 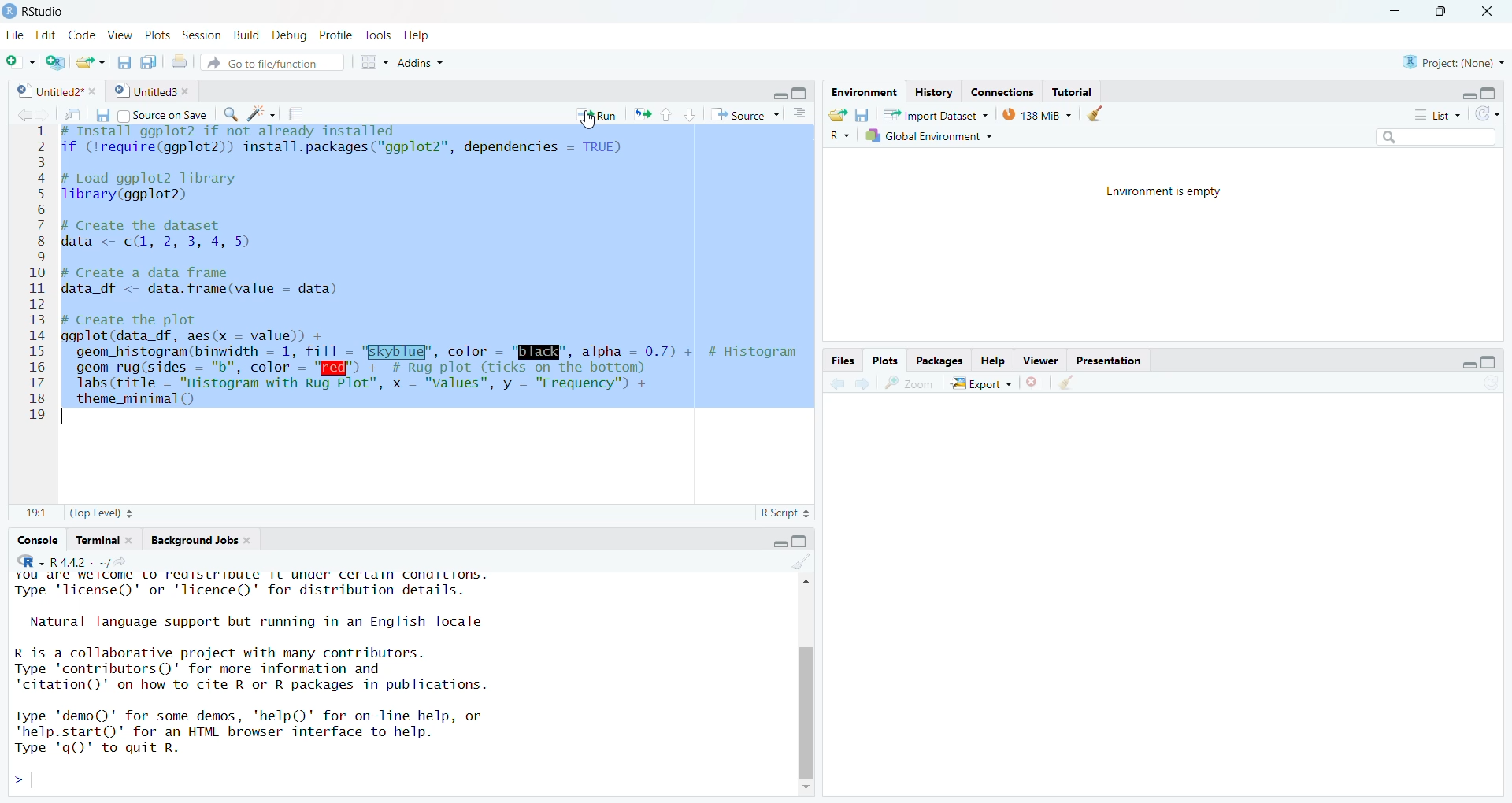 I want to click on 4 # Install ggpiots 117 not aiready installed
2 if (lrequire(ggplot2)) install.packages("ggplot2"”, dependencies — TRUE)
3
4 # Load ggplot2 library
5 Tlibrary(ggplot2)
6
7 # Create the dataset
8 data <- c(, 2, 3, 4, 5)
9
10 # Create a data frame
11 data df <- data.frame(value - data)
12
13 # Create the plot
14 ggplot(data_df, aes(x — value) +
15 geom histogram(binwidth = 1, fill - "EKyblug’, color - "ENE", alpha = 0.7) + # Histogram
16 geom_rug(sides = "b", color = "I" + # Rug plot (ticks on the bottom)
17. Tabs(ritle = "Histogram with Rug Plot”, x = "Values", y = "Frequency") +
18 theme_minimal()
19, so click(x=392, y=284).